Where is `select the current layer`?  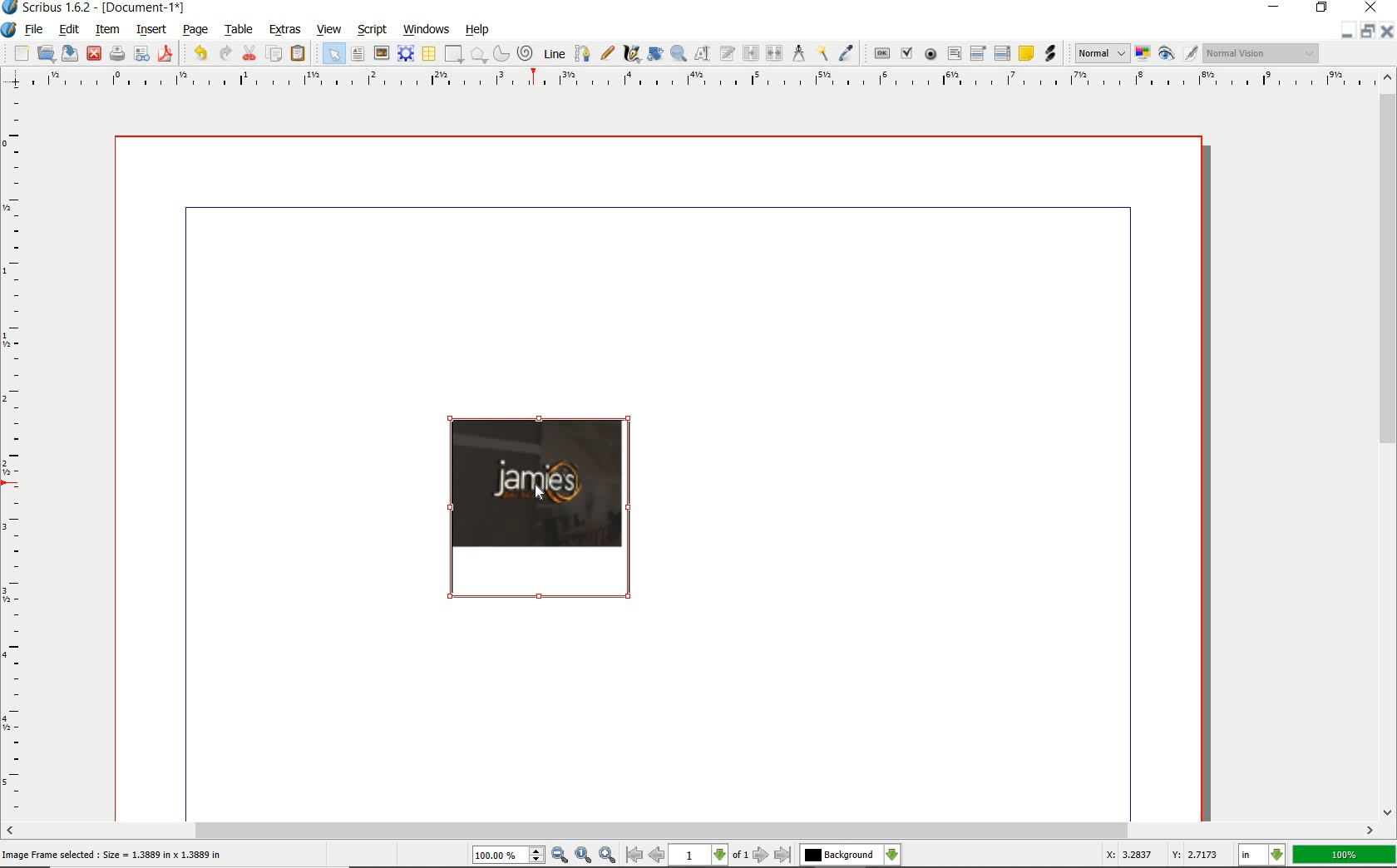
select the current layer is located at coordinates (850, 856).